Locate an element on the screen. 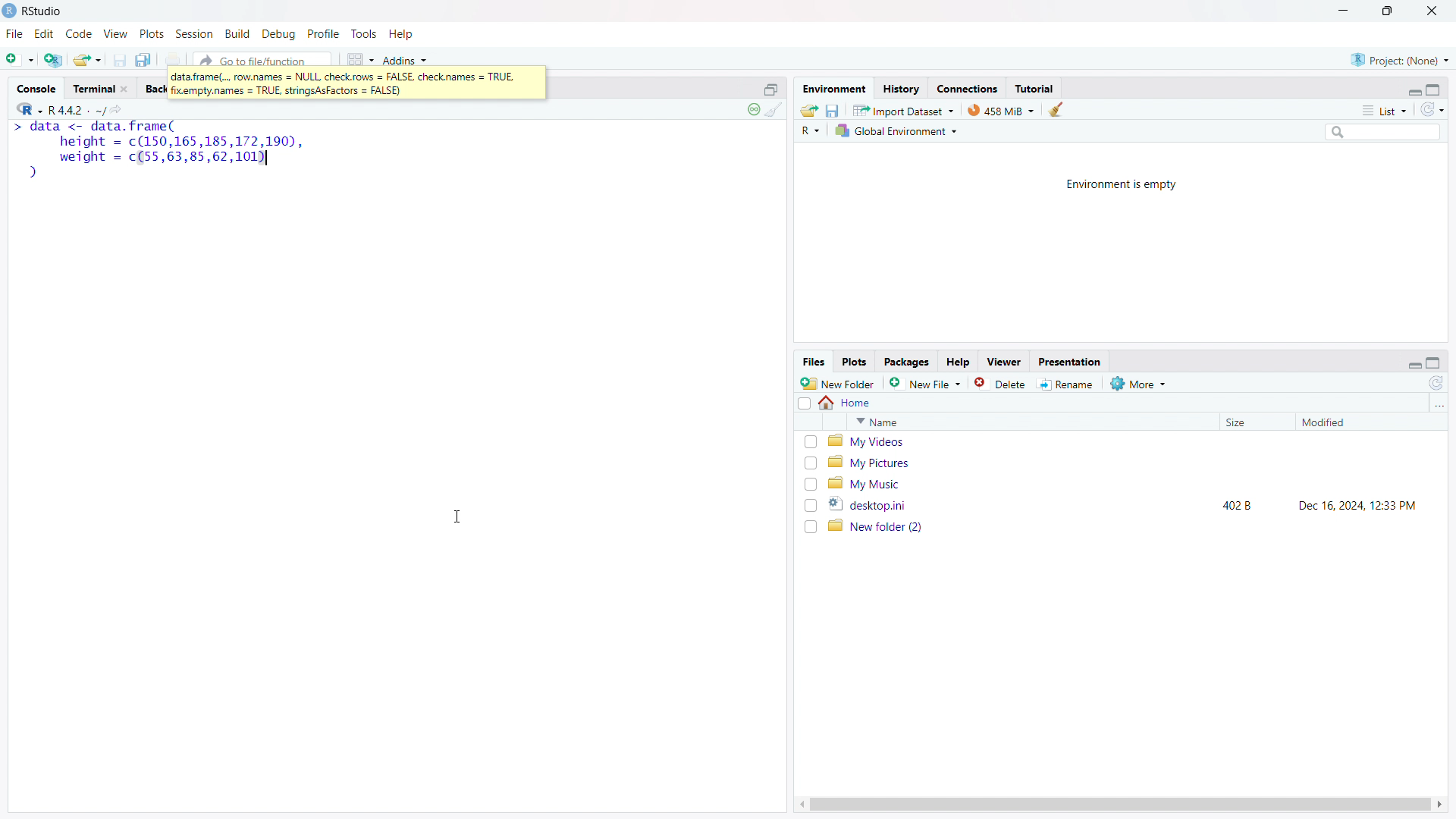 The height and width of the screenshot is (819, 1456). debug is located at coordinates (279, 34).